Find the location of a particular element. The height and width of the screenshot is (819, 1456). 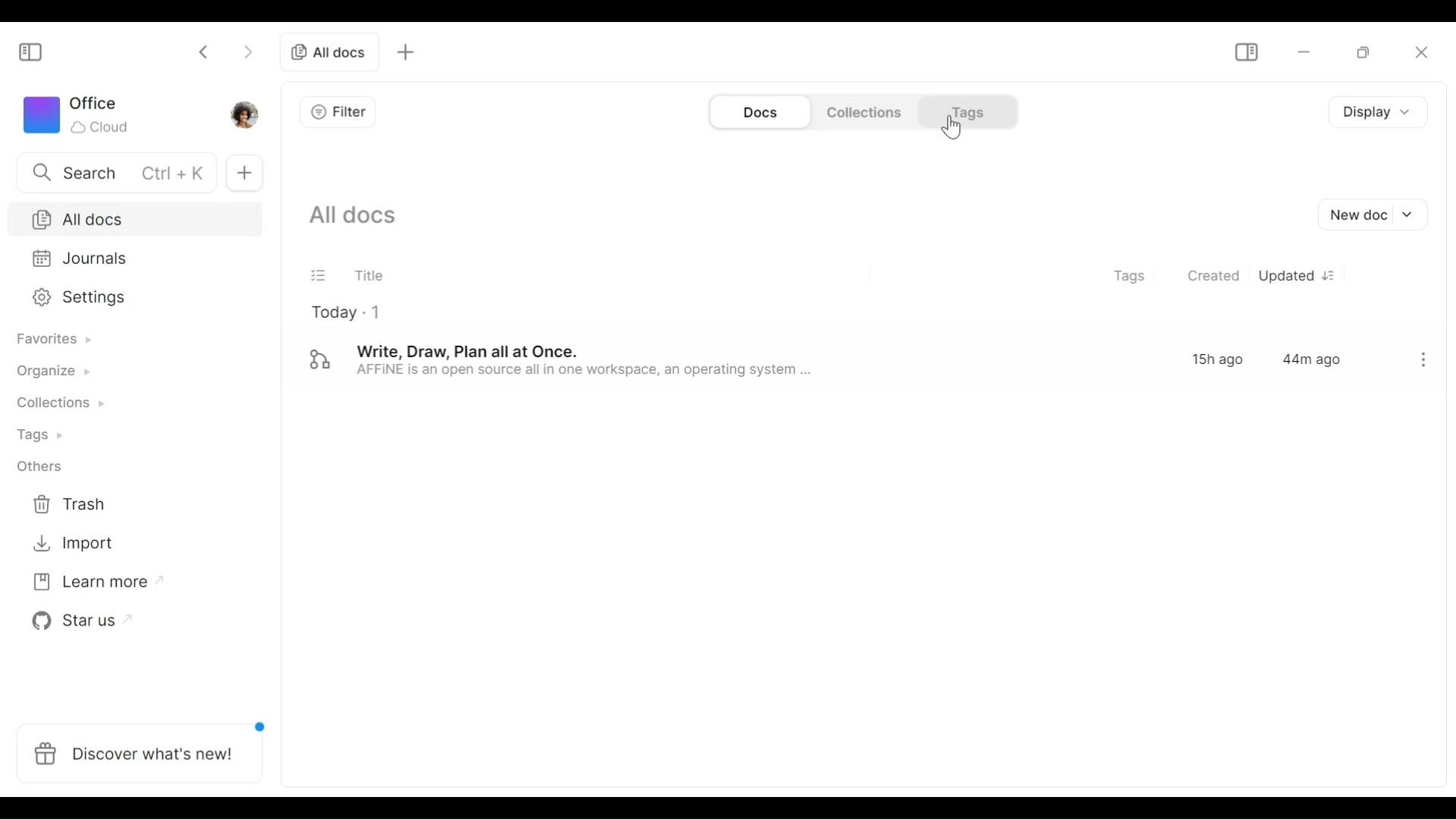

Tags is located at coordinates (46, 436).